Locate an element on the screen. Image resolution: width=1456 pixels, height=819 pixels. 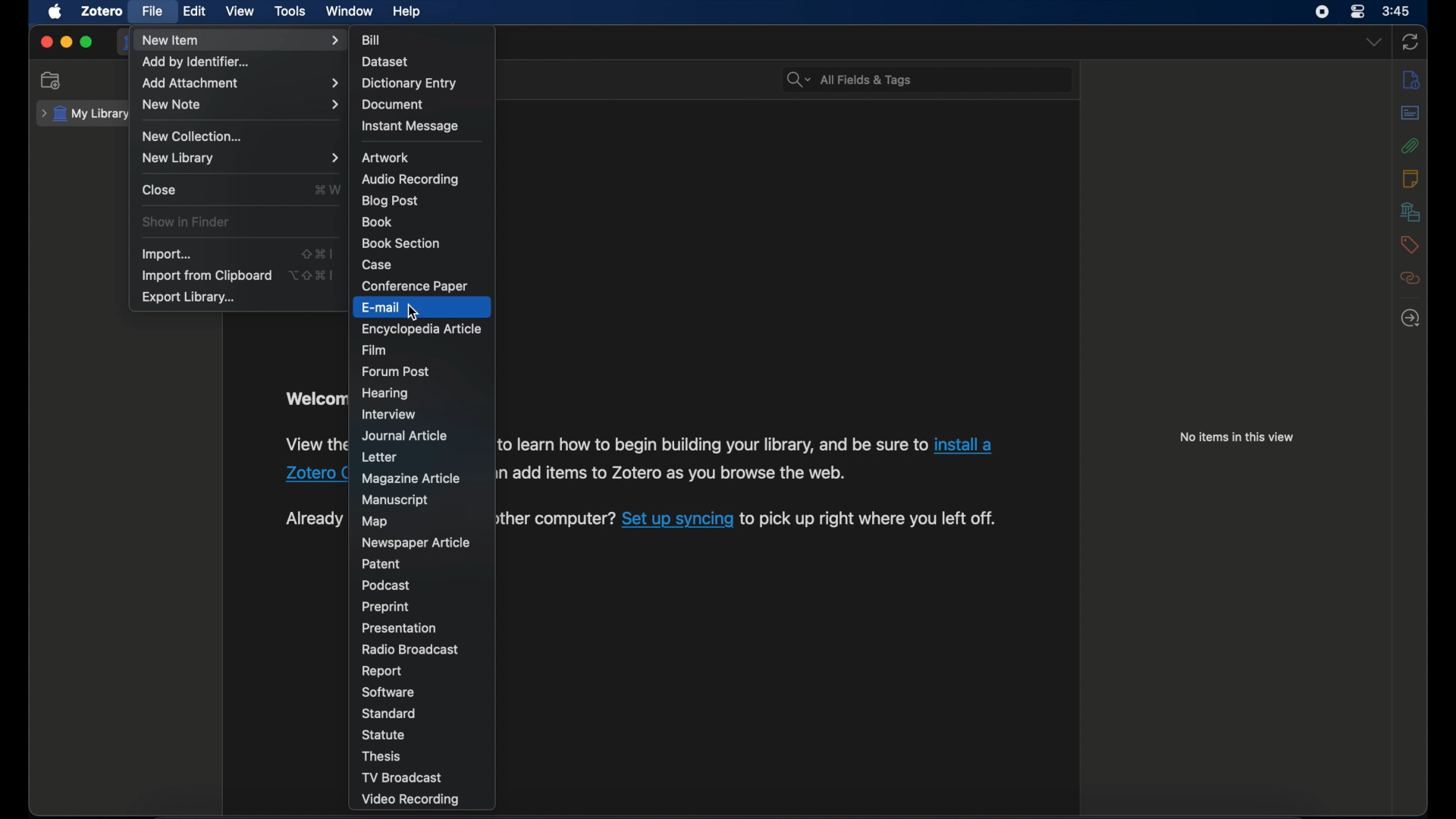
installation instruction is located at coordinates (312, 460).